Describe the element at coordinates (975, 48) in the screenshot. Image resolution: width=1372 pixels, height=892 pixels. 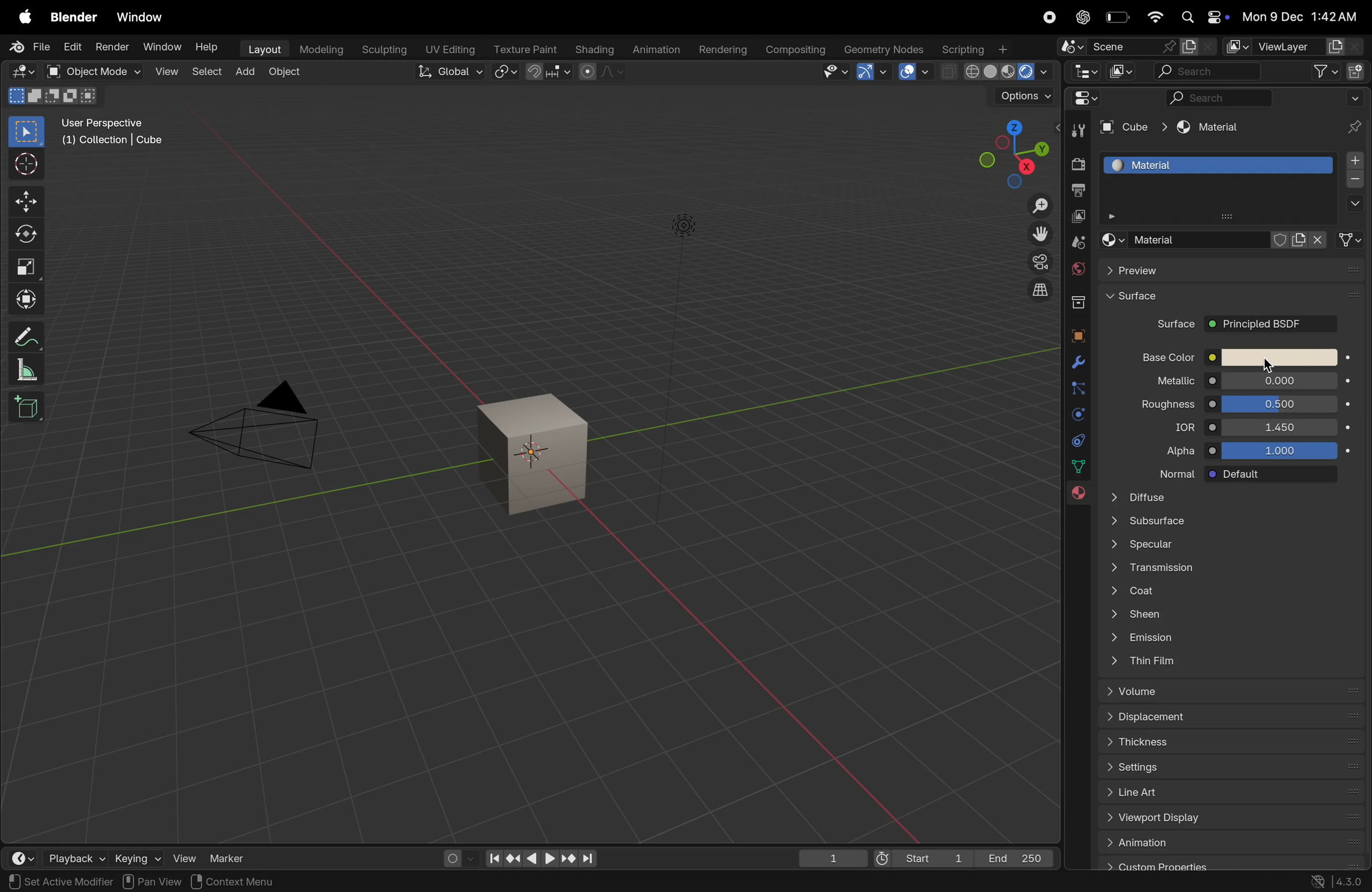
I see `scripting` at that location.